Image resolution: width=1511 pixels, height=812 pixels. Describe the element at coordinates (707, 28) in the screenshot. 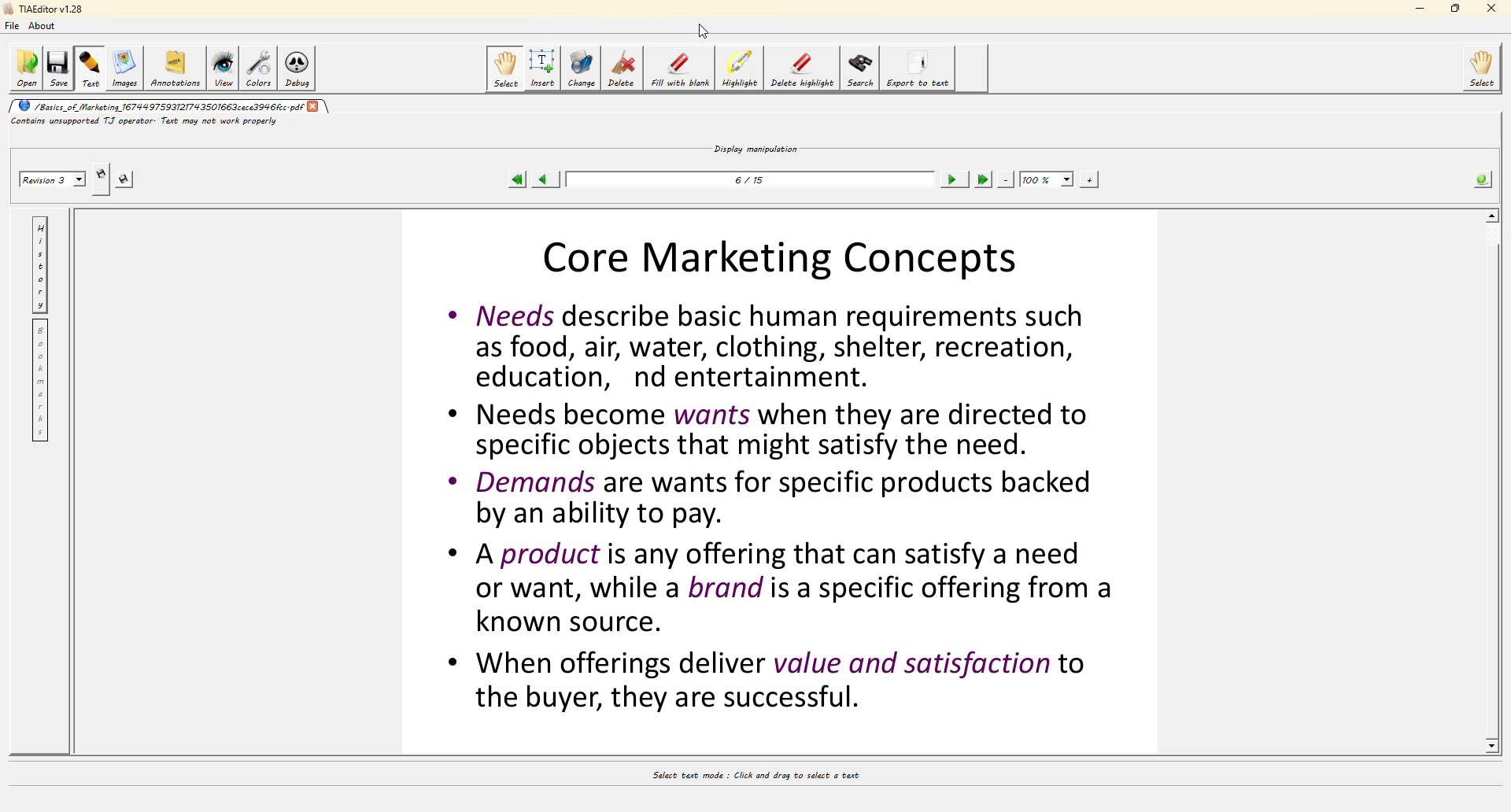

I see `cursor` at that location.